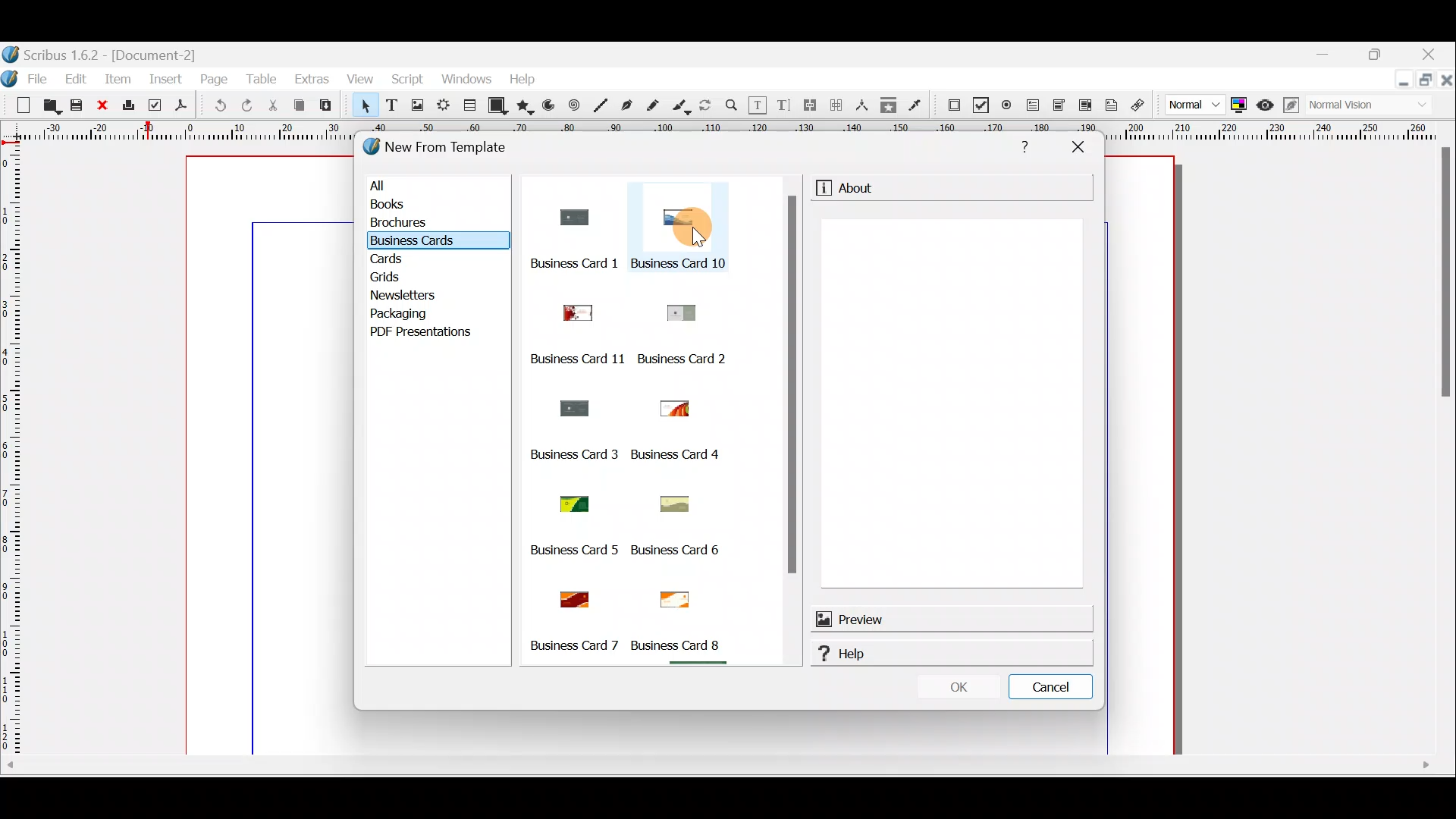  Describe the element at coordinates (690, 548) in the screenshot. I see `Business card 6` at that location.